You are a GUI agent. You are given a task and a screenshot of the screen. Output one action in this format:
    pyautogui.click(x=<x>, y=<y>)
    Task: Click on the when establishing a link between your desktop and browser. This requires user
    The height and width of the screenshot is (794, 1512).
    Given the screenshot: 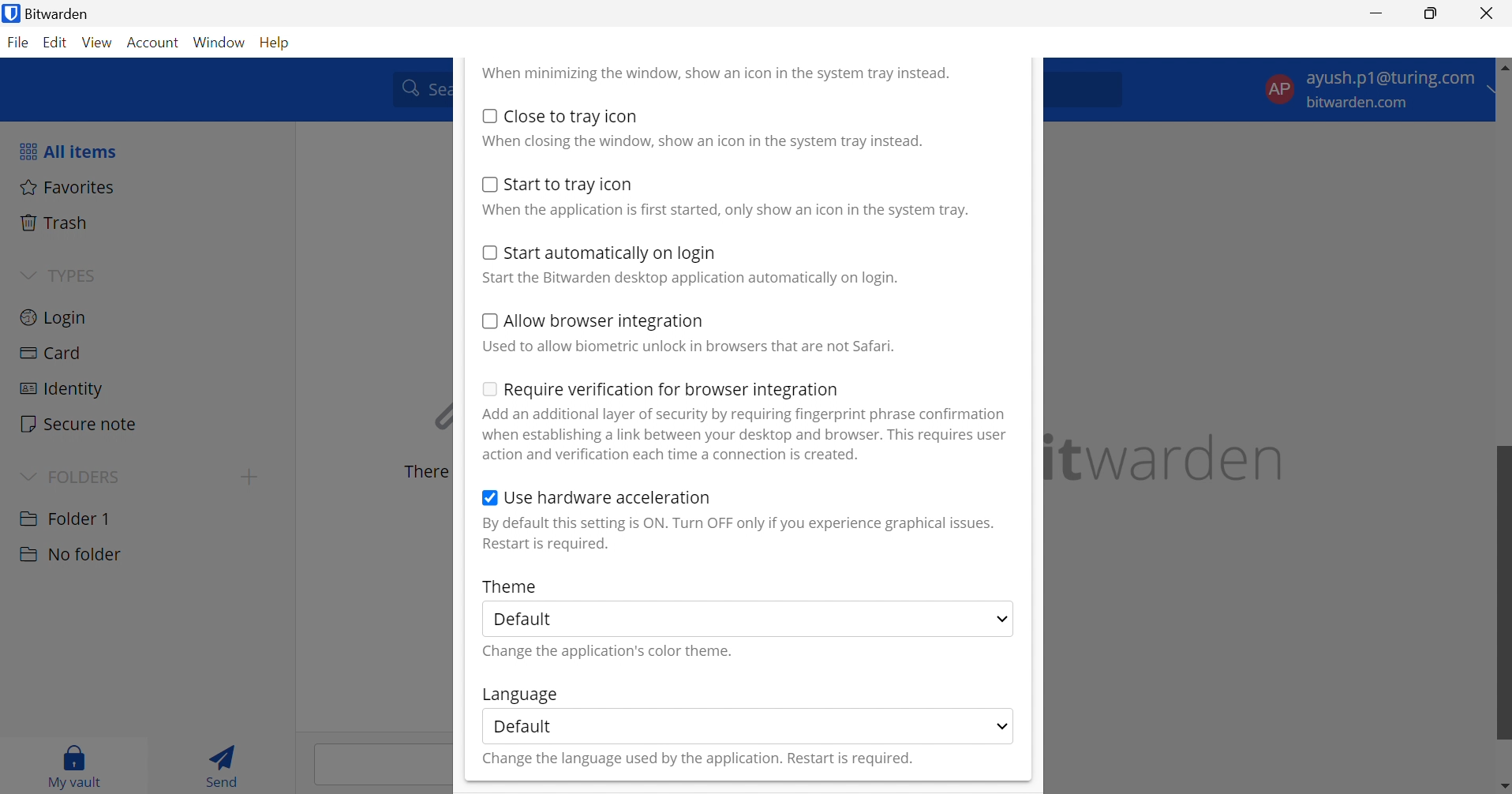 What is the action you would take?
    pyautogui.click(x=746, y=435)
    